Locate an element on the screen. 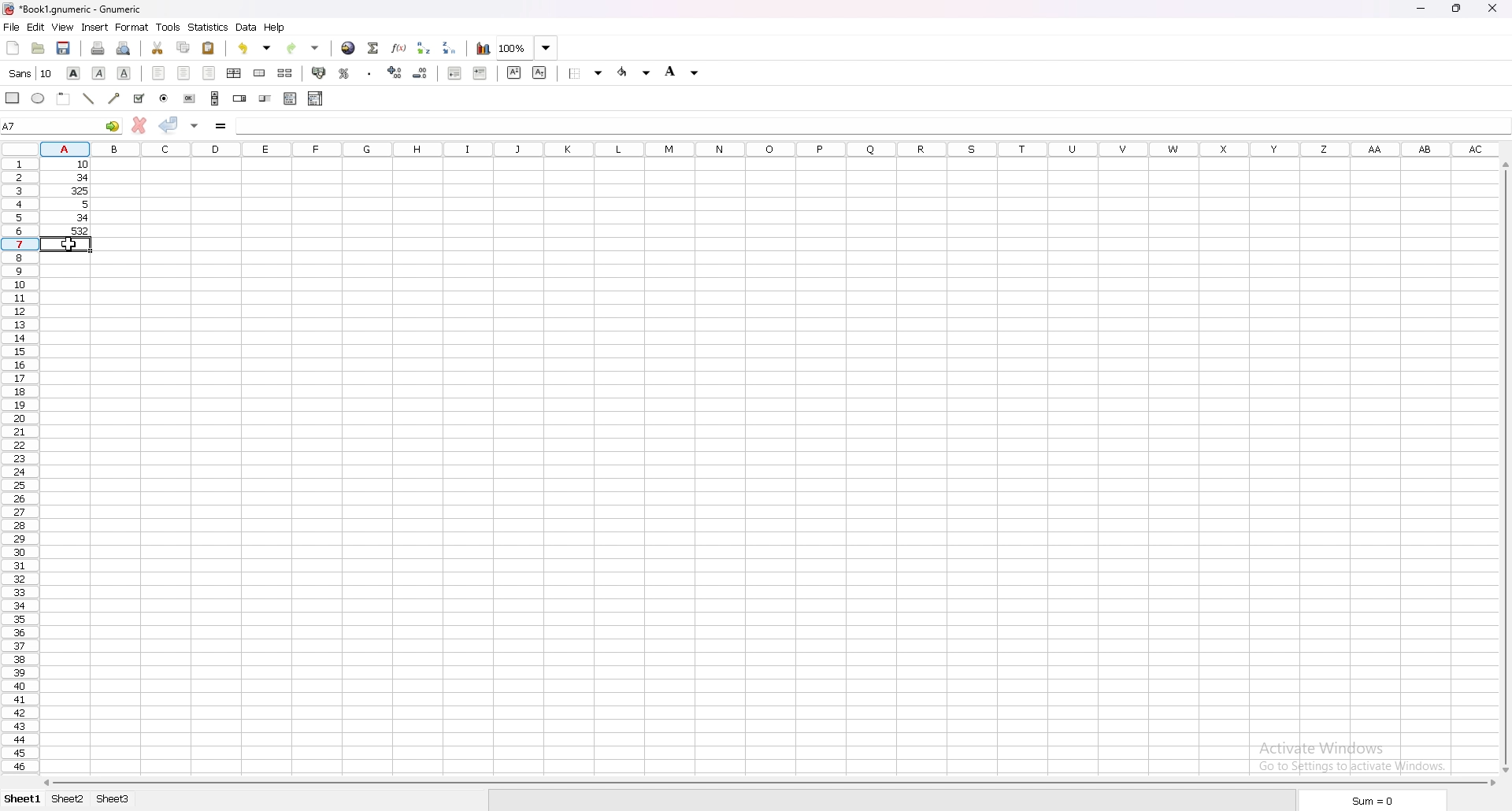  325 is located at coordinates (72, 190).